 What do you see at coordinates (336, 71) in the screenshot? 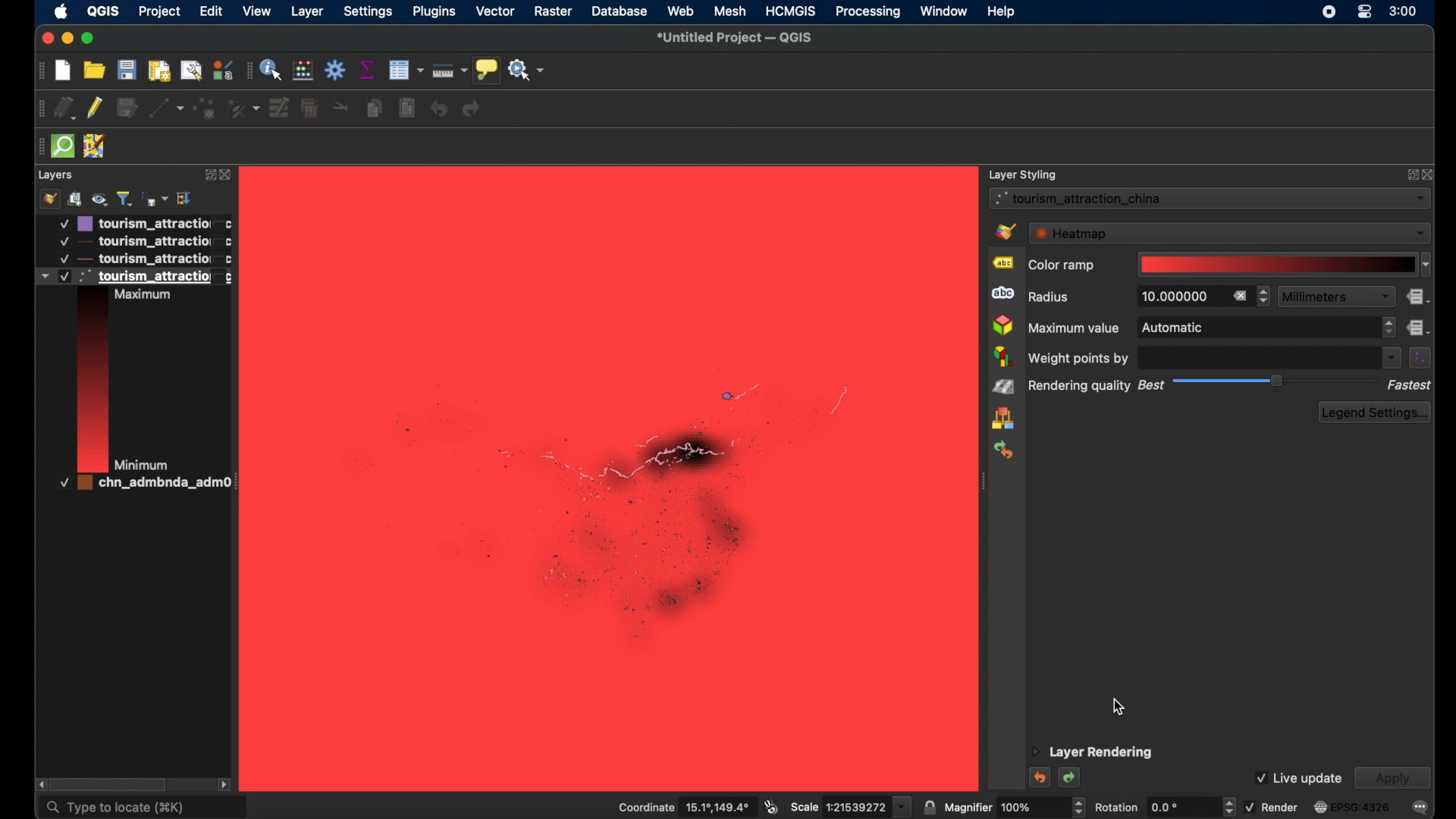
I see `toolbox` at bounding box center [336, 71].